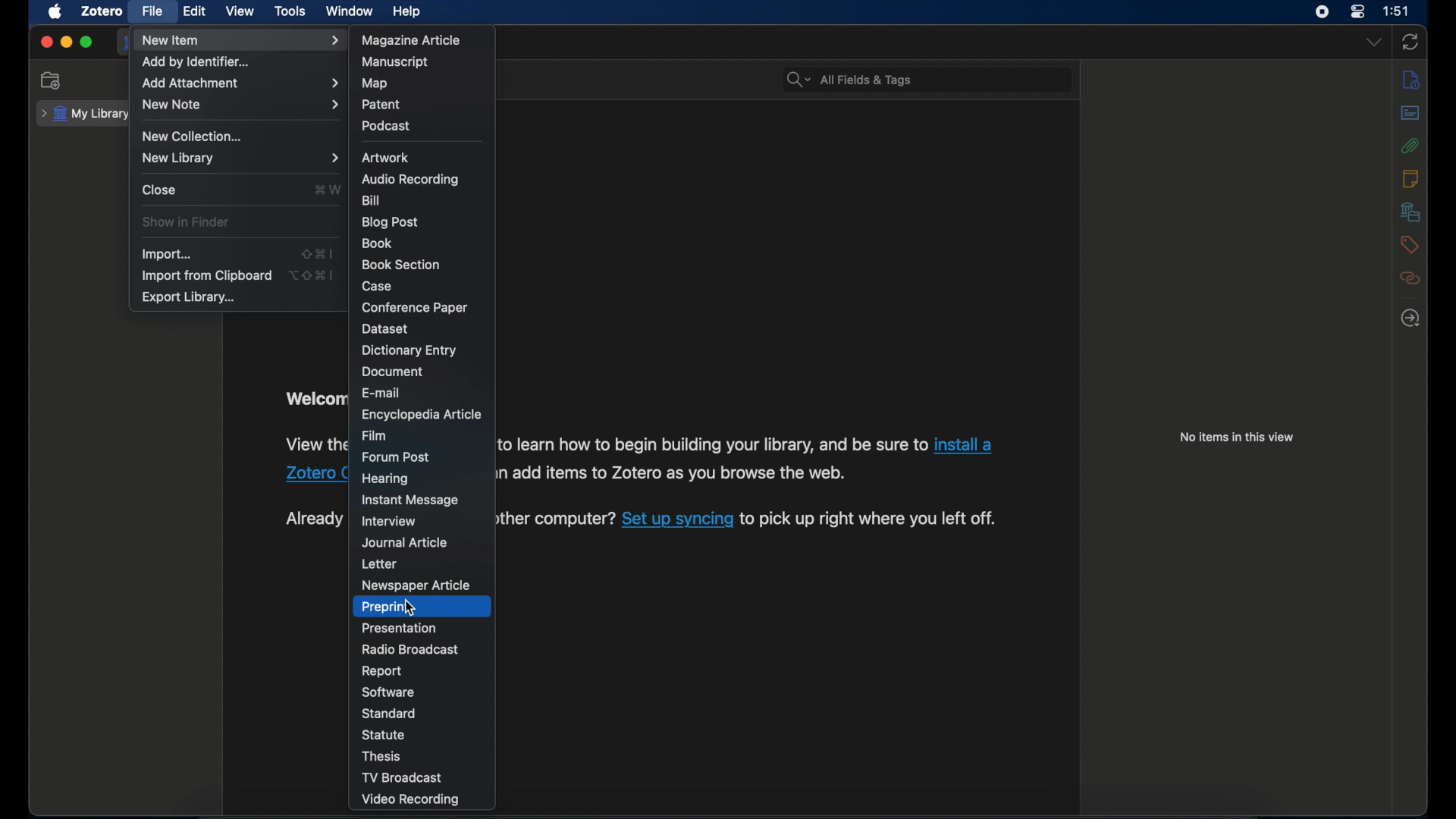 This screenshot has width=1456, height=819. I want to click on install a, so click(967, 445).